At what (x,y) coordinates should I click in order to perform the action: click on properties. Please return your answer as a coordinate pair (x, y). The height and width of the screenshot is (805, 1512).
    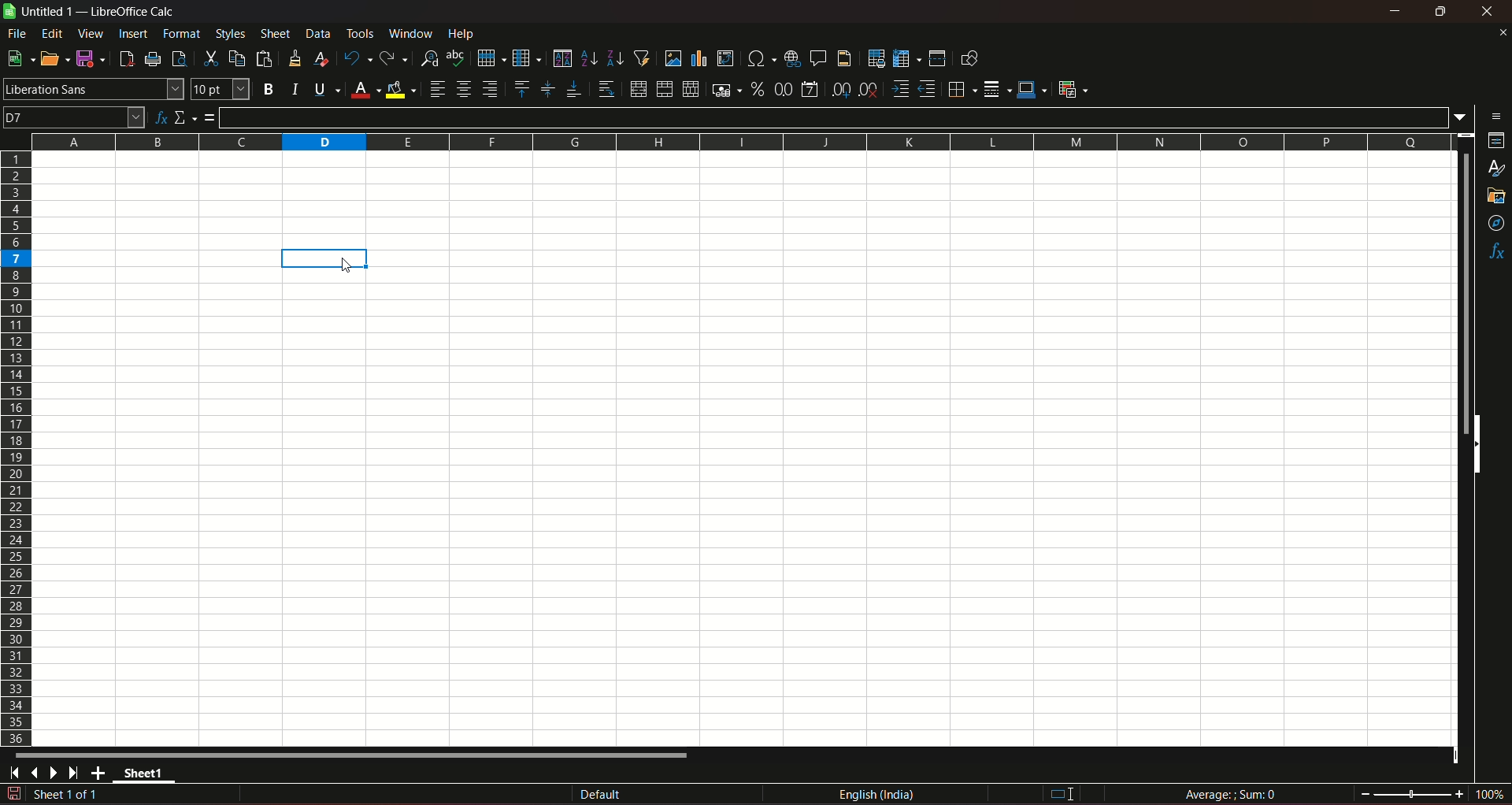
    Looking at the image, I should click on (1496, 142).